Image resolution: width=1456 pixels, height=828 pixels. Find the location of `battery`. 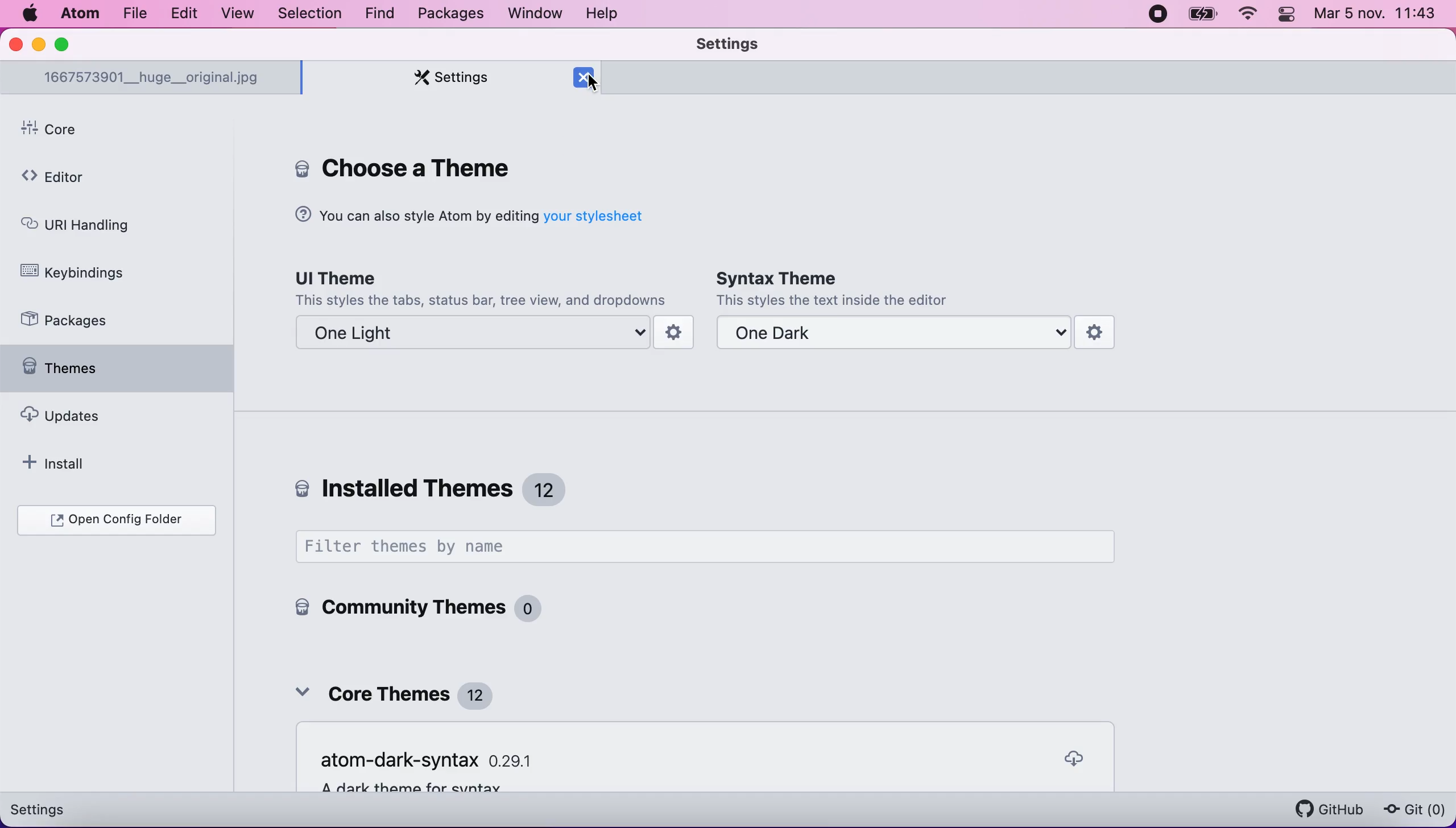

battery is located at coordinates (1201, 16).